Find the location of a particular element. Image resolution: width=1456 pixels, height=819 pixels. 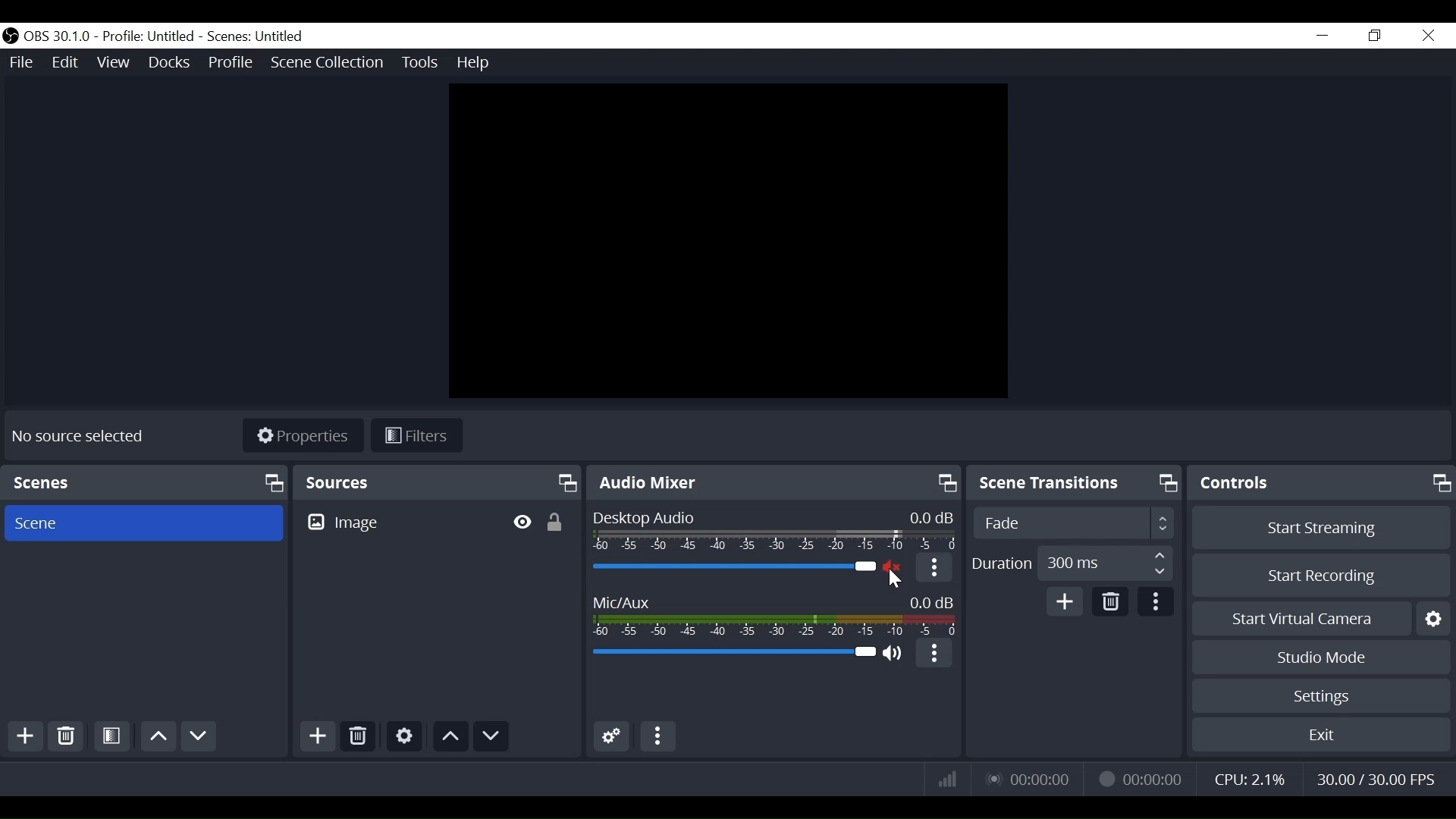

Help is located at coordinates (475, 63).